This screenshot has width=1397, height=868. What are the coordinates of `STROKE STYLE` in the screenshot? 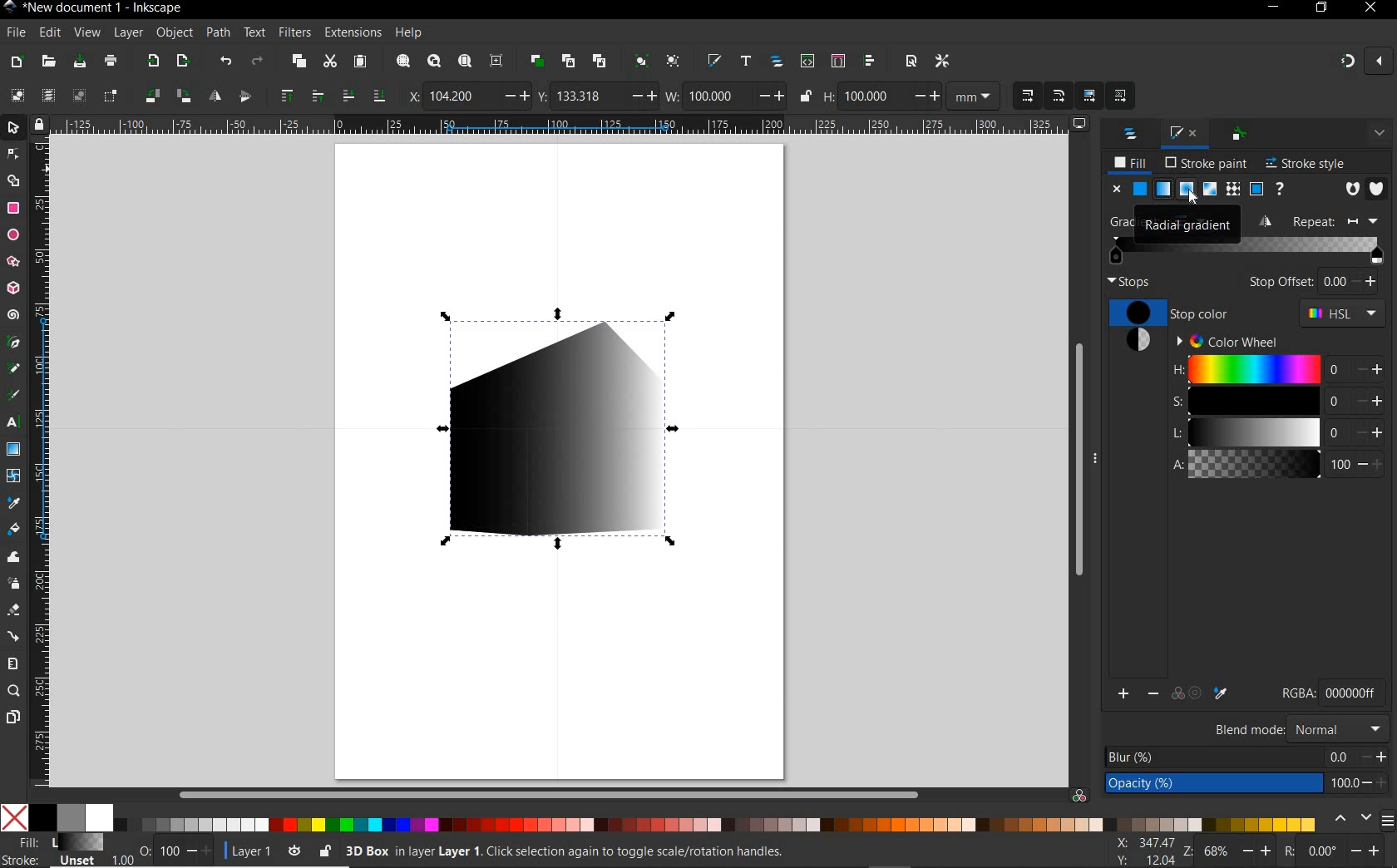 It's located at (1304, 161).